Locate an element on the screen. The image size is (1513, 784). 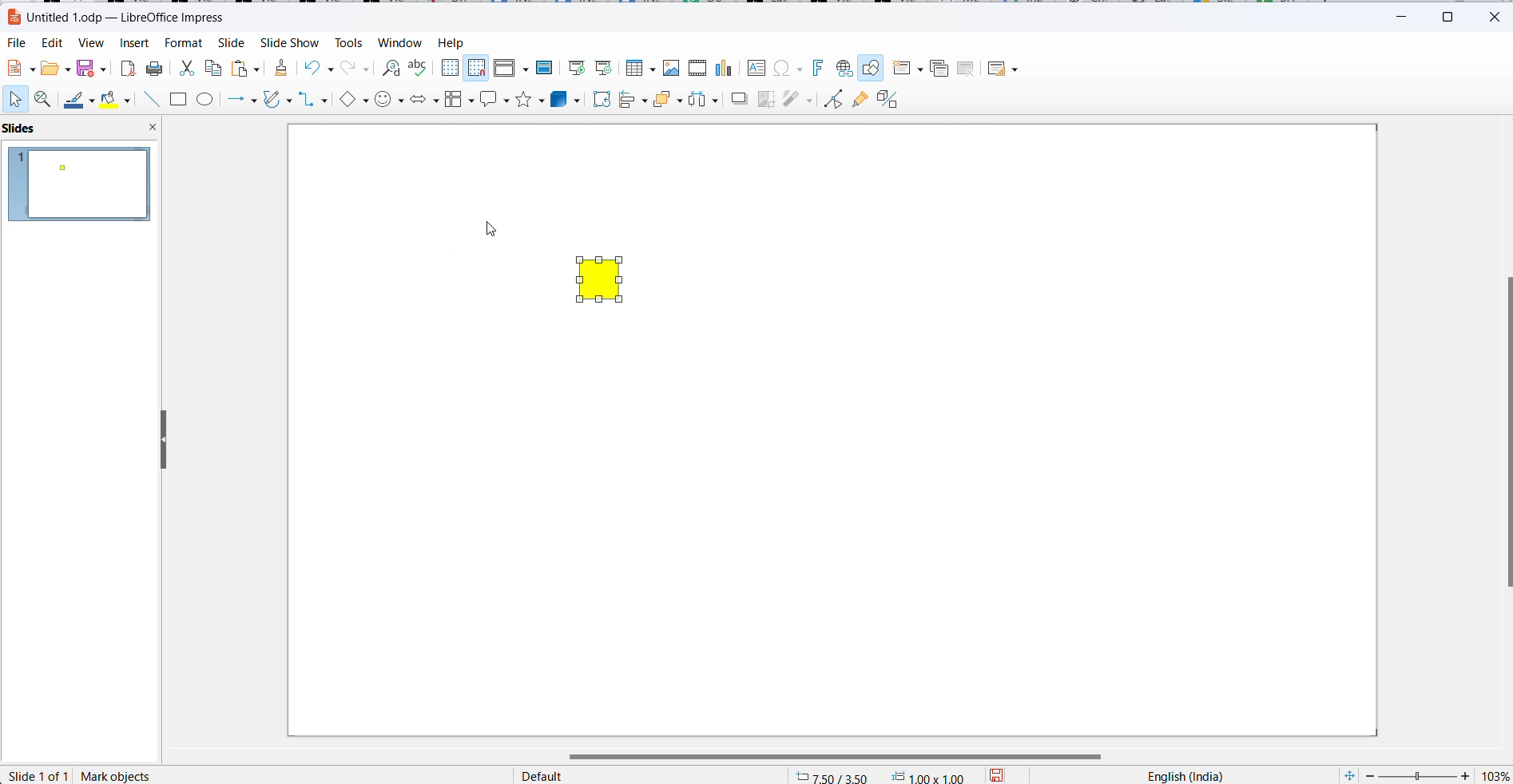
Toggle extrusion is located at coordinates (892, 100).